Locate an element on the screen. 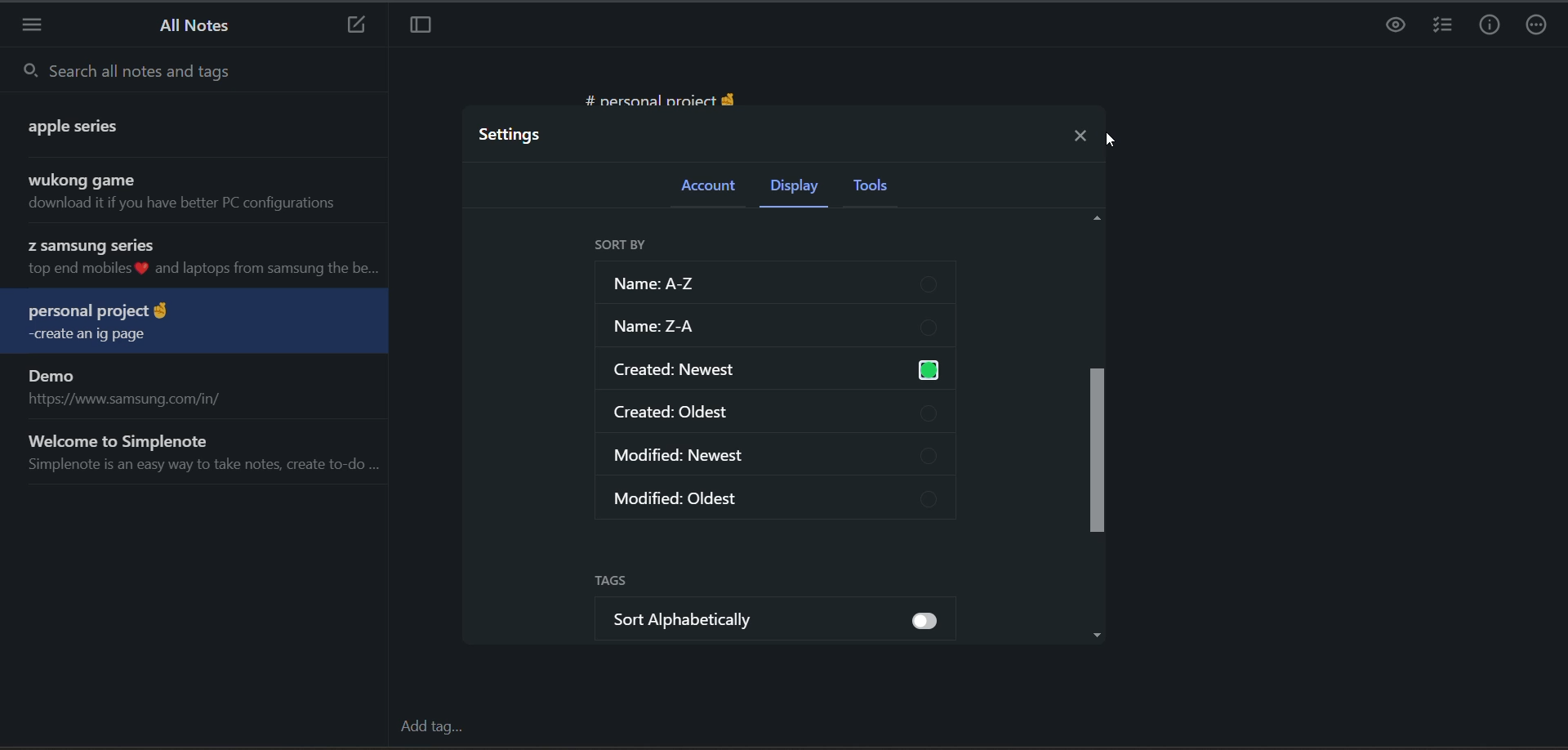 The height and width of the screenshot is (750, 1568). add tag is located at coordinates (434, 730).